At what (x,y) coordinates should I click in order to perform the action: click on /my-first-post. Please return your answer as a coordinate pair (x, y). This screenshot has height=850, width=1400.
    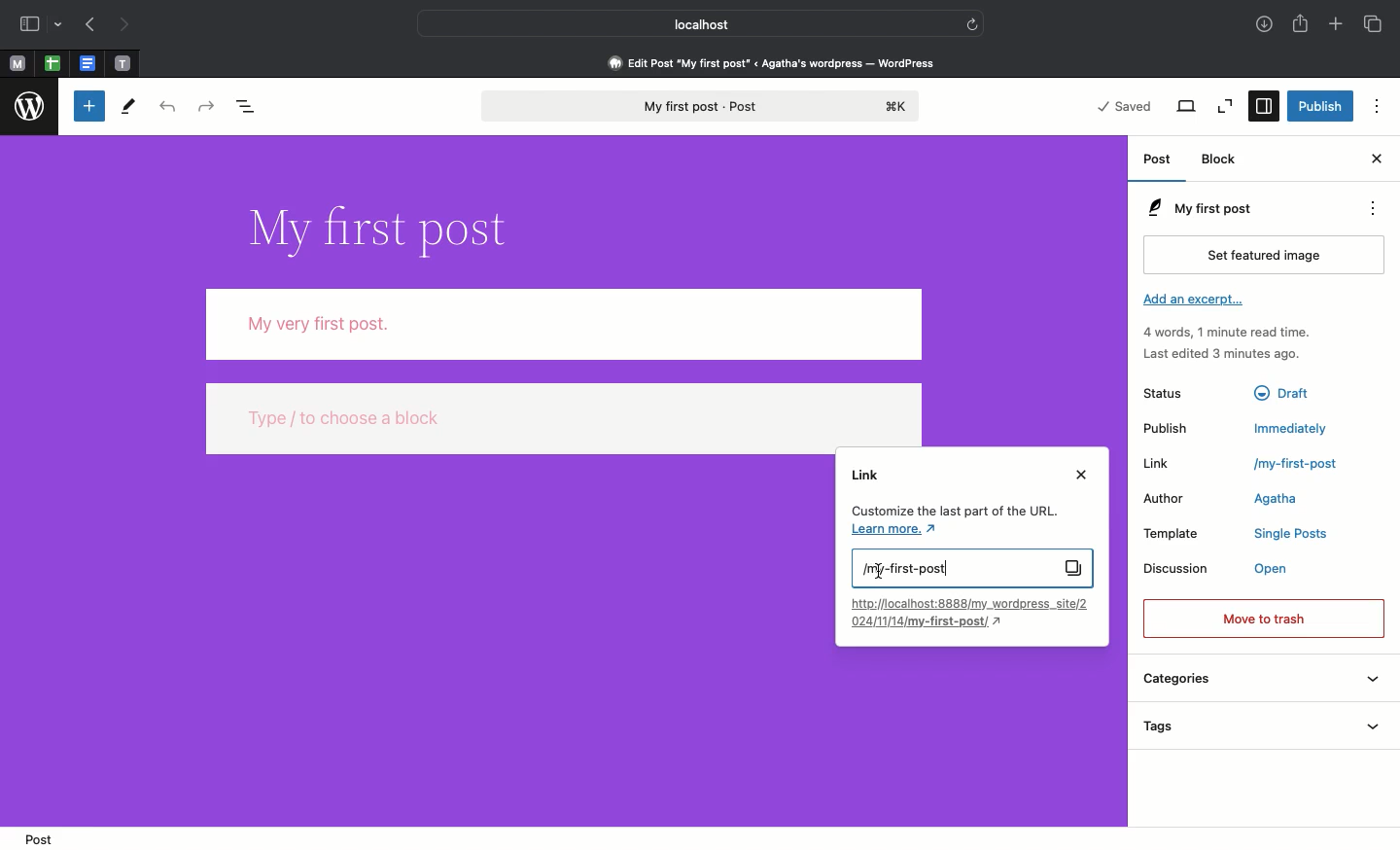
    Looking at the image, I should click on (1293, 465).